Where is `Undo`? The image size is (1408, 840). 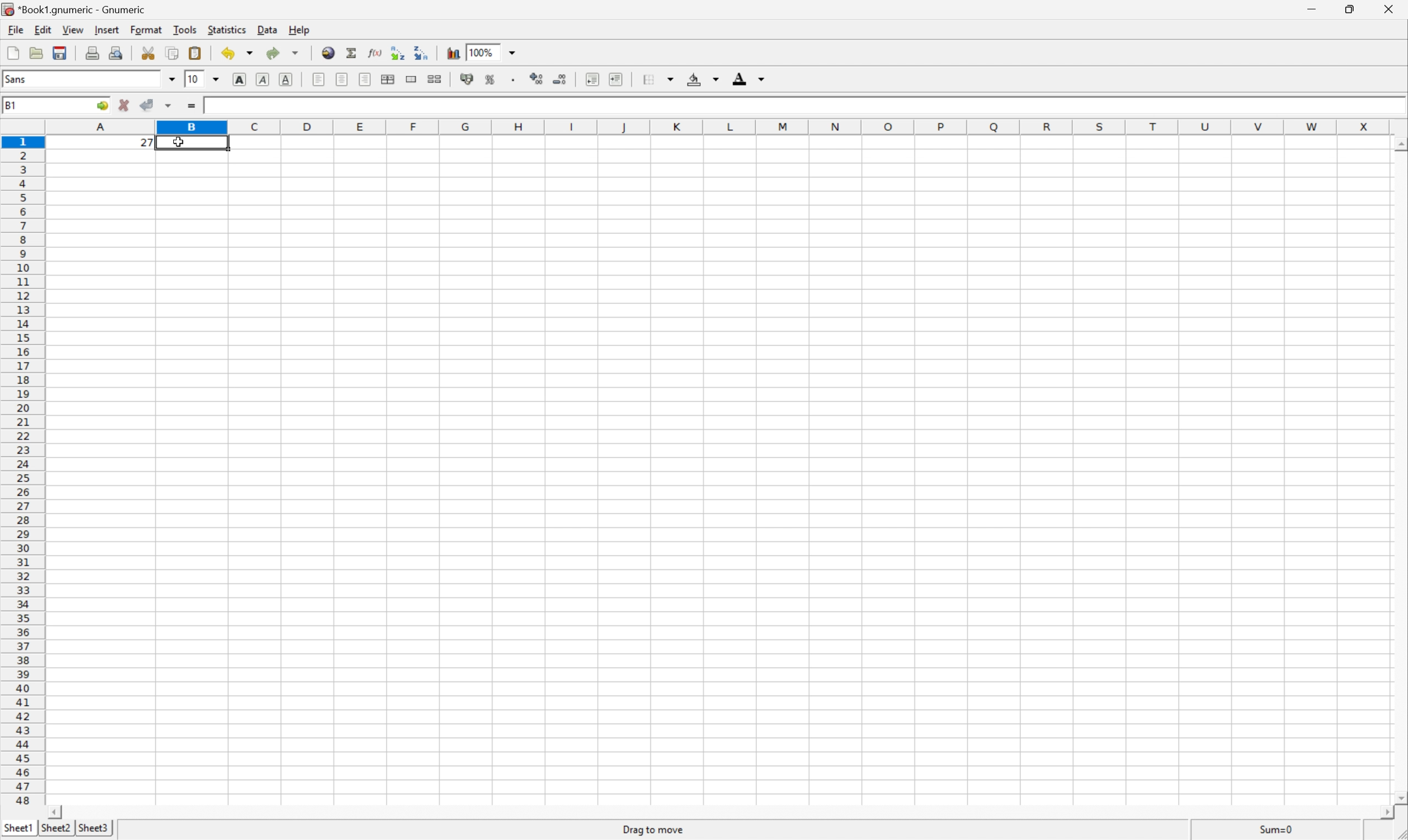 Undo is located at coordinates (238, 52).